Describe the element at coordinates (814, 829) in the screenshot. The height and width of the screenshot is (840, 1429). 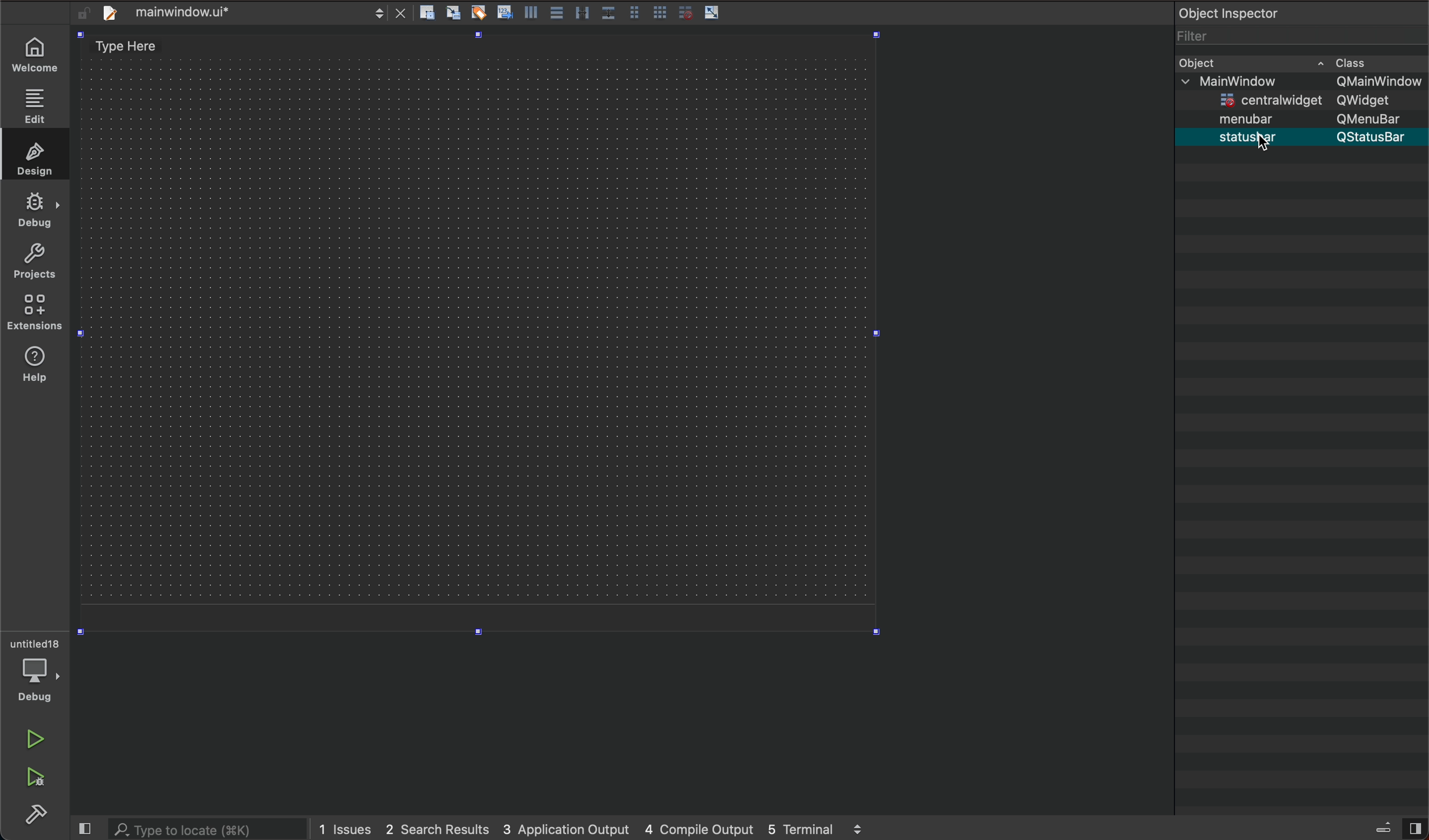
I see `5 terminal` at that location.